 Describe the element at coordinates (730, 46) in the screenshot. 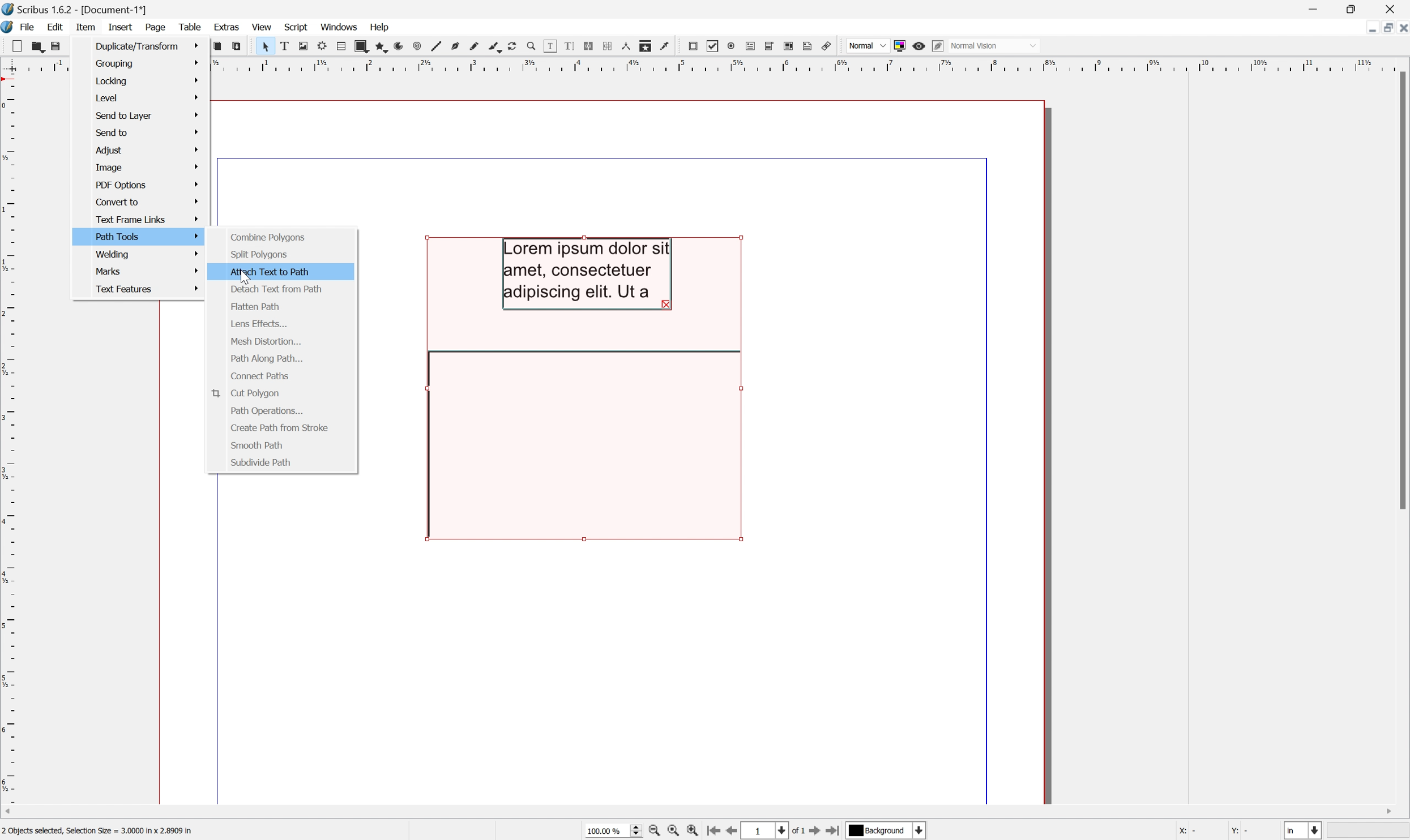

I see `PDF radio button` at that location.